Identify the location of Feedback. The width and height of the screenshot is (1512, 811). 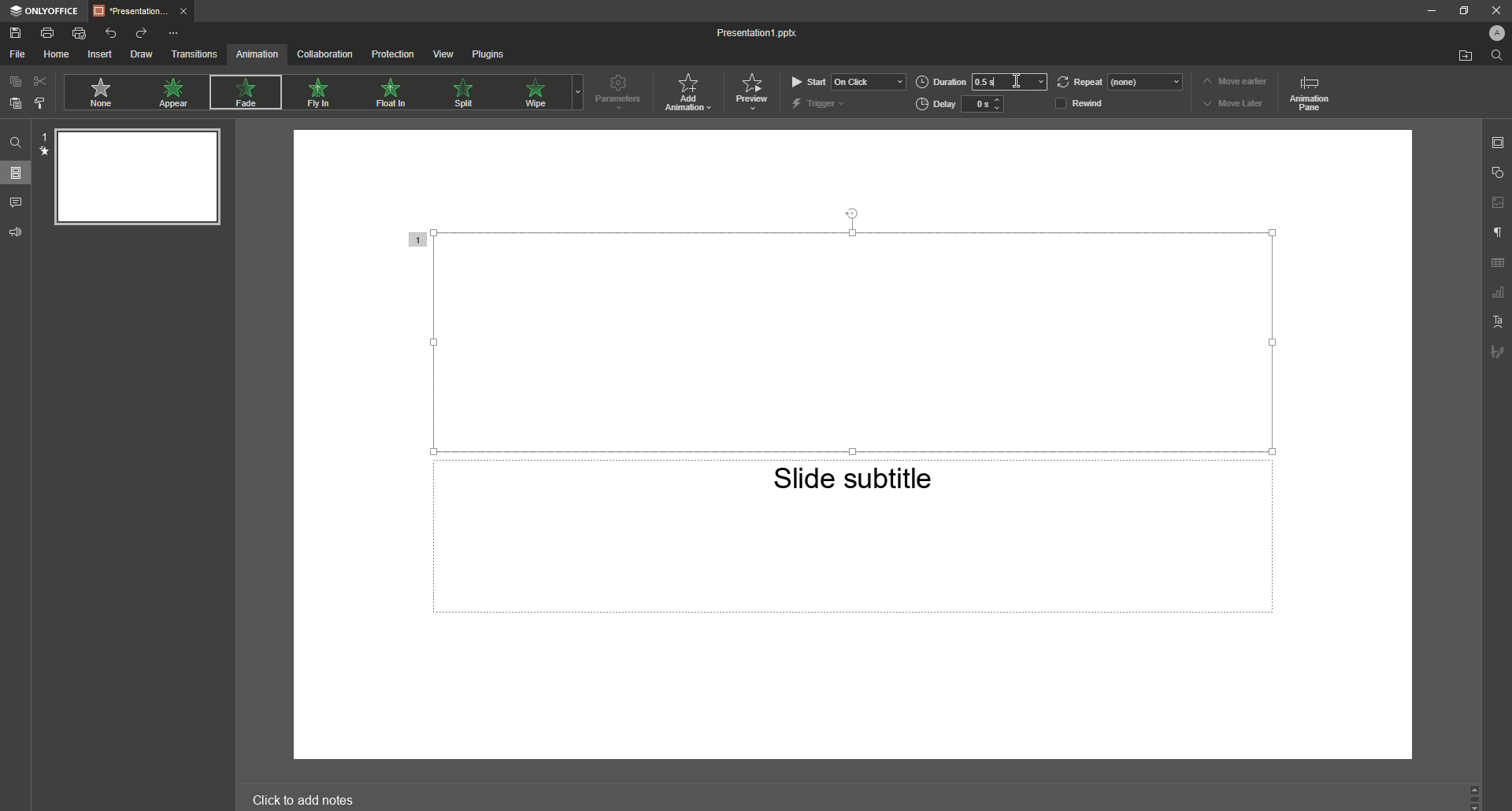
(16, 231).